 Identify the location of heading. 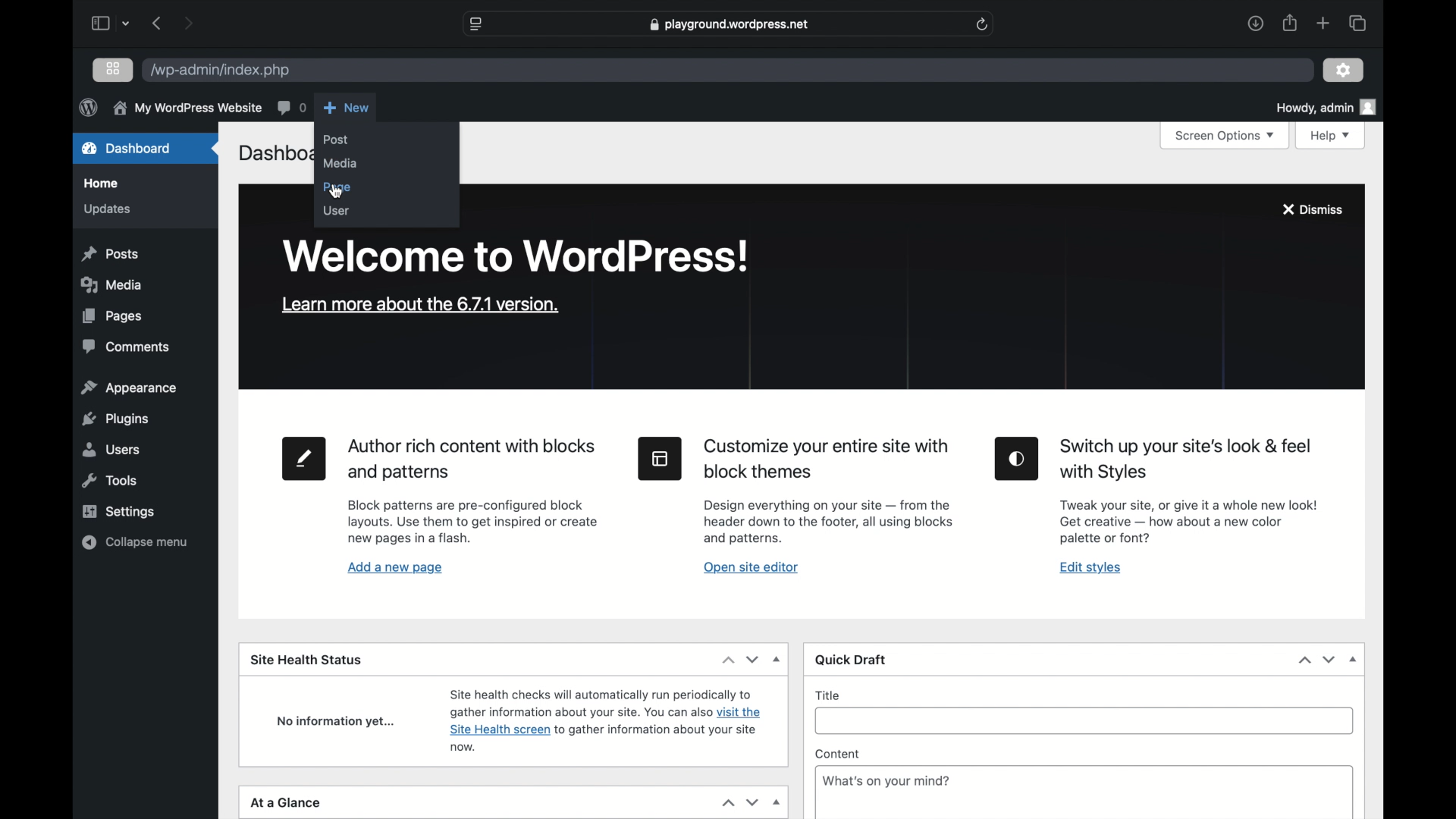
(1188, 459).